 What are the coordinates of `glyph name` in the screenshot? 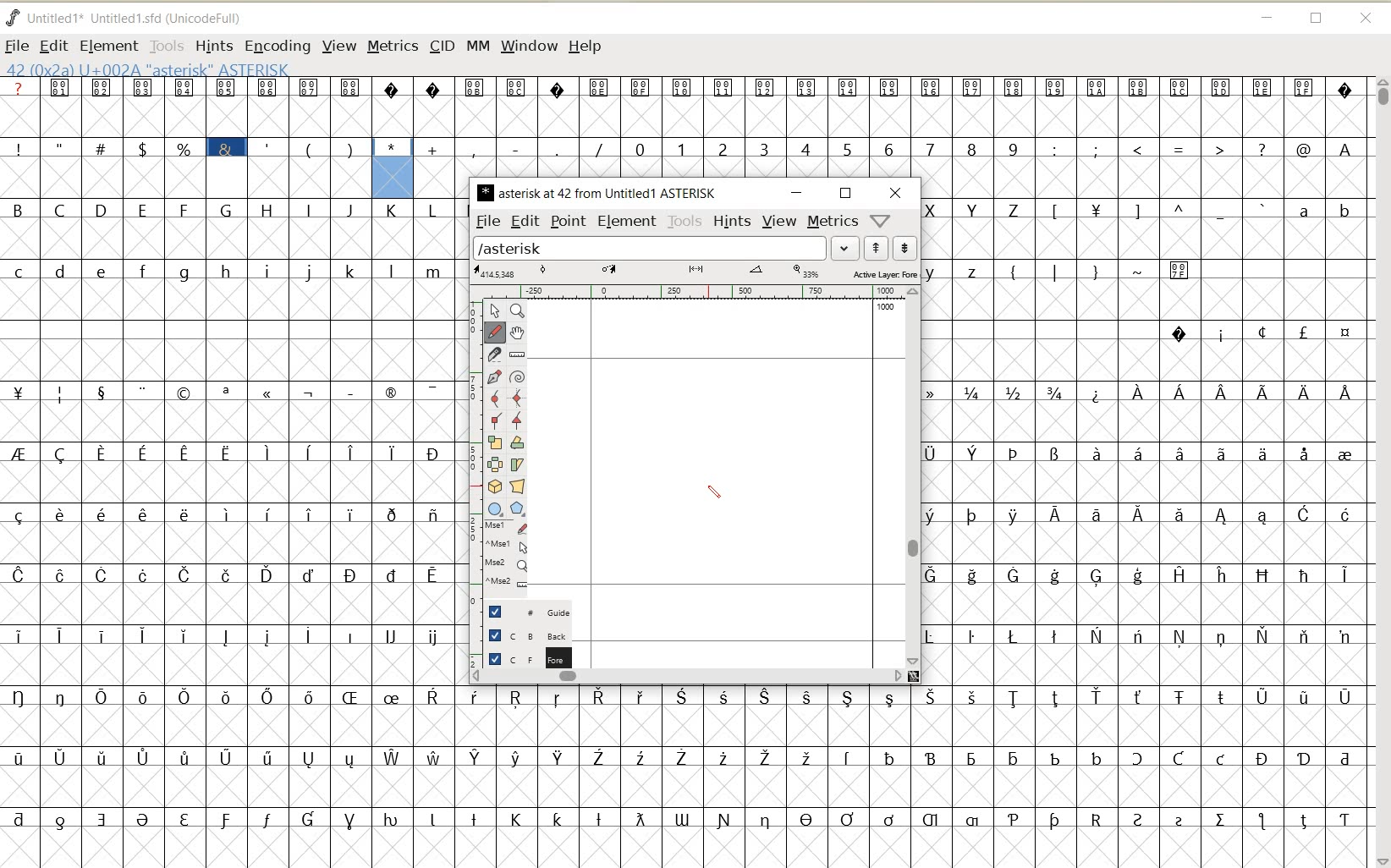 It's located at (597, 192).